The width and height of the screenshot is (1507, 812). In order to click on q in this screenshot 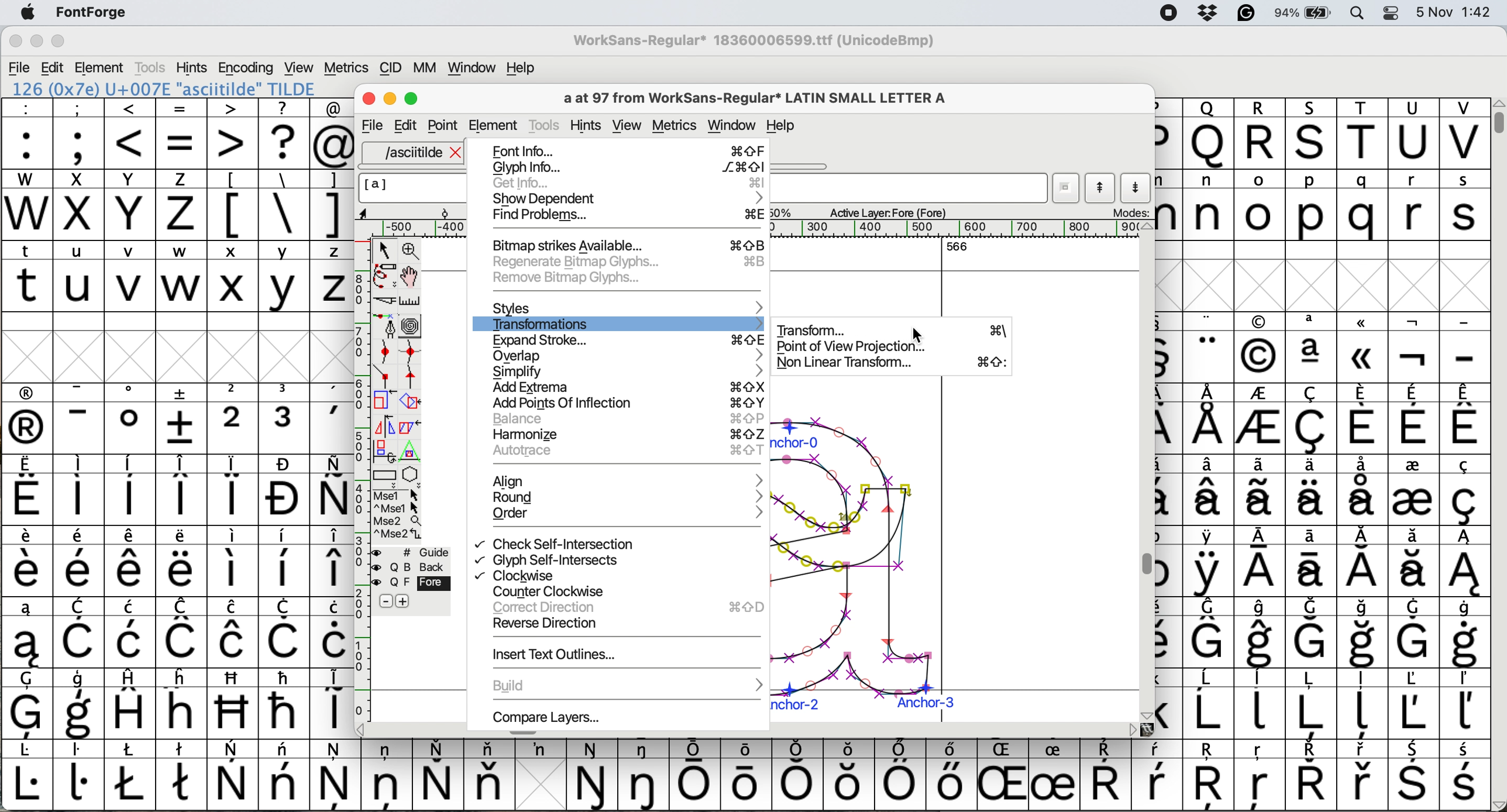, I will do `click(1365, 206)`.